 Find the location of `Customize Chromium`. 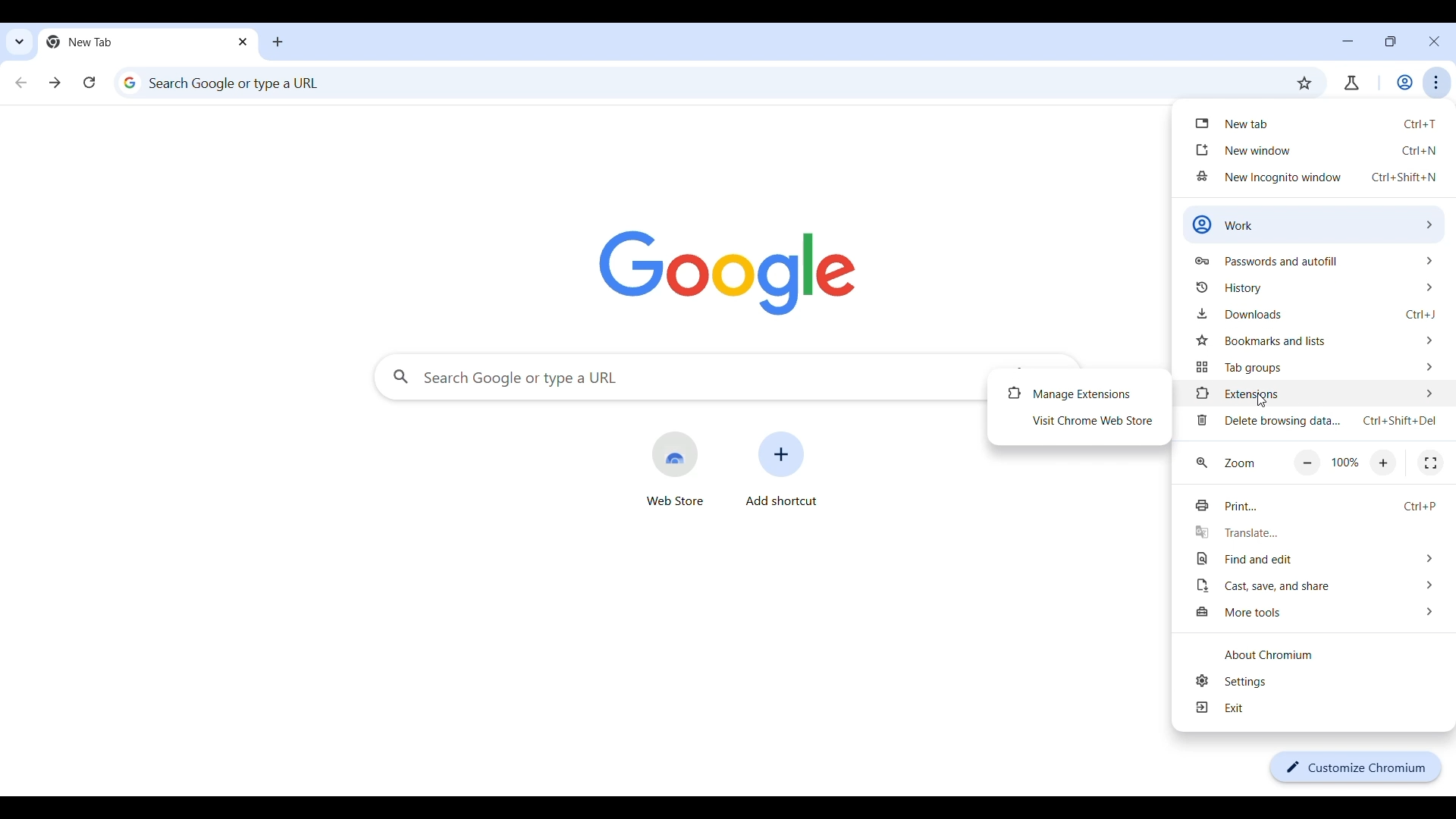

Customize Chromium is located at coordinates (1356, 767).